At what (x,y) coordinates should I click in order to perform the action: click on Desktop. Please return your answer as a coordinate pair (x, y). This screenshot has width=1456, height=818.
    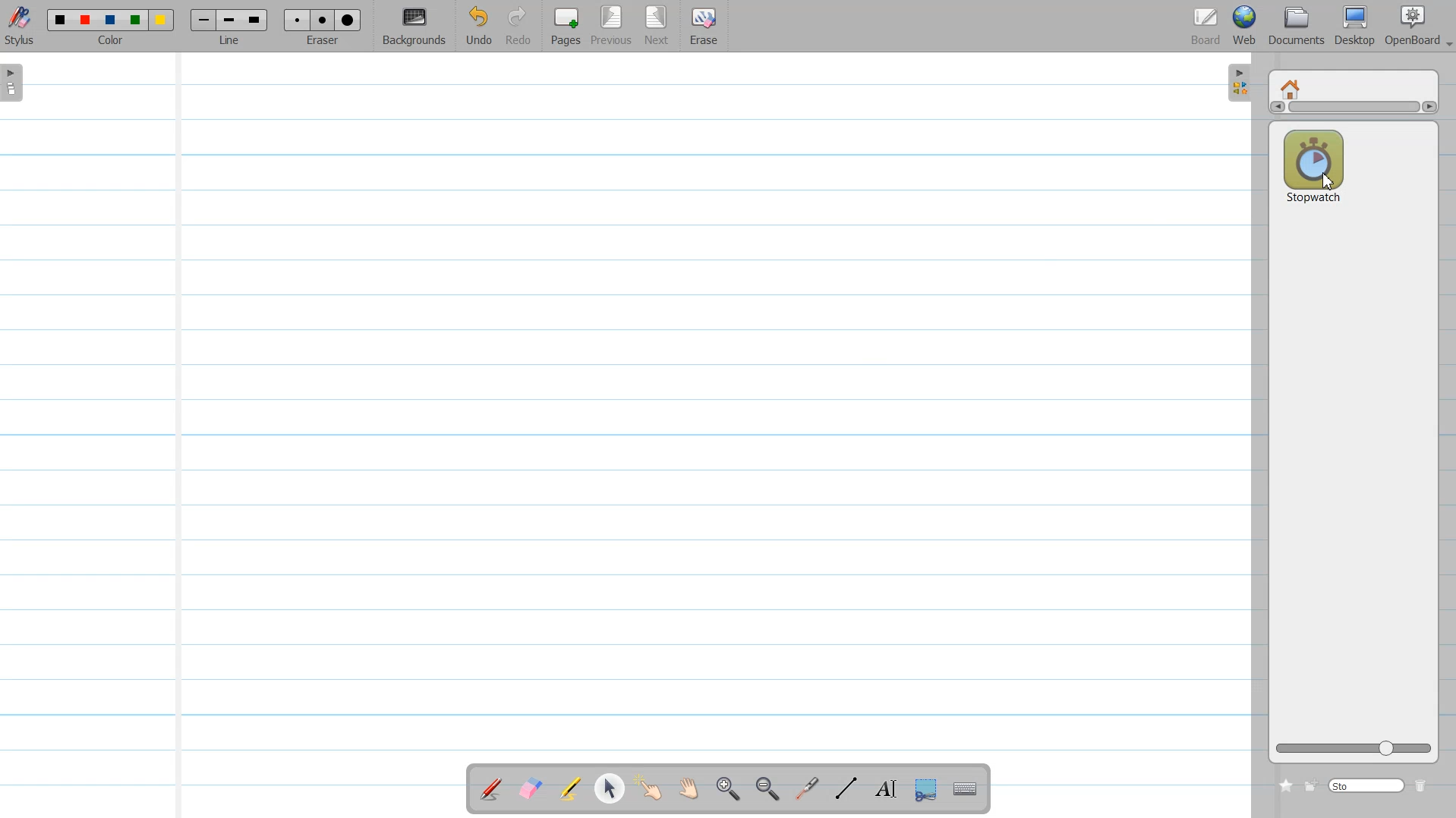
    Looking at the image, I should click on (1354, 26).